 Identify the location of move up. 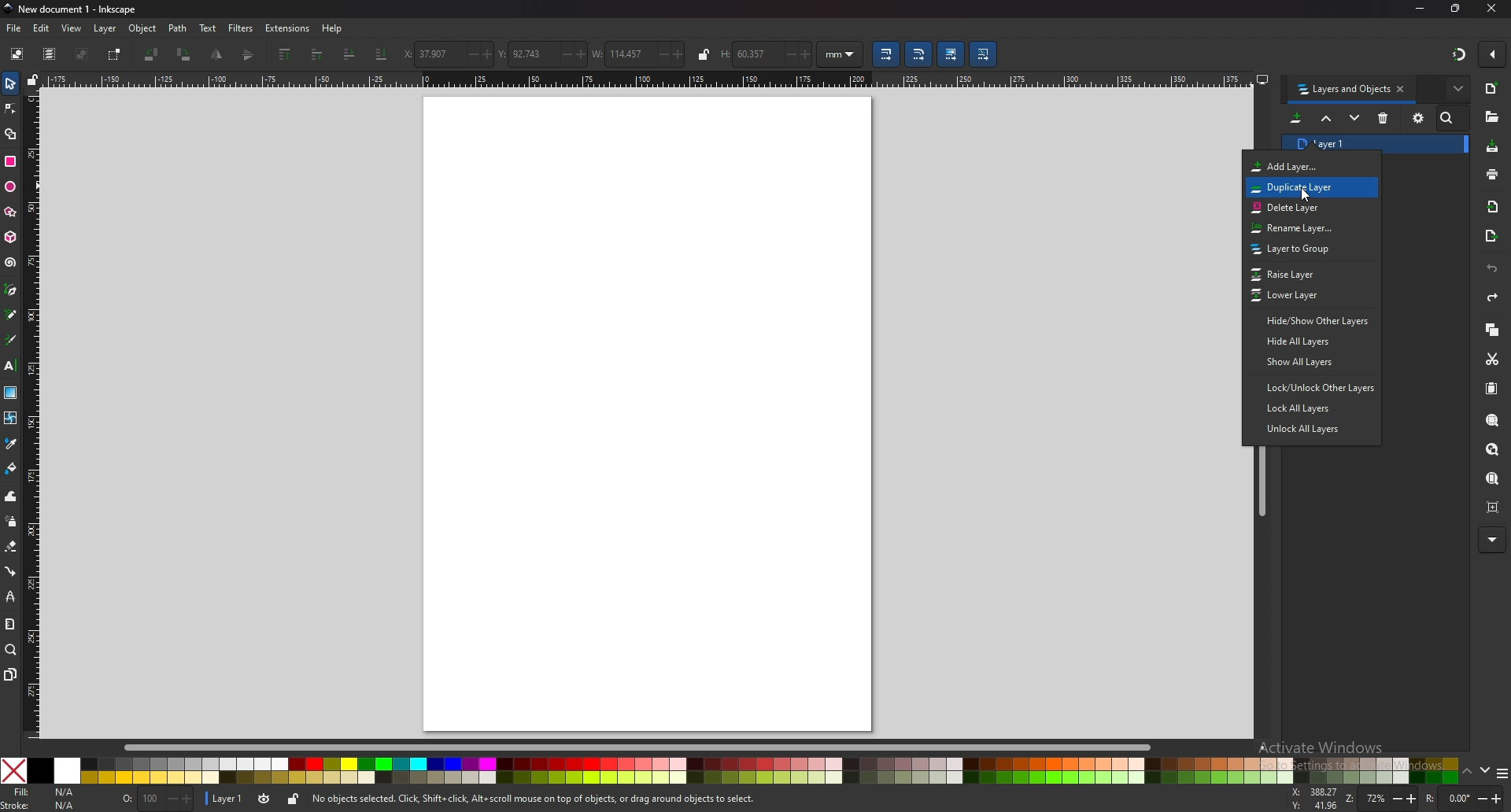
(1327, 117).